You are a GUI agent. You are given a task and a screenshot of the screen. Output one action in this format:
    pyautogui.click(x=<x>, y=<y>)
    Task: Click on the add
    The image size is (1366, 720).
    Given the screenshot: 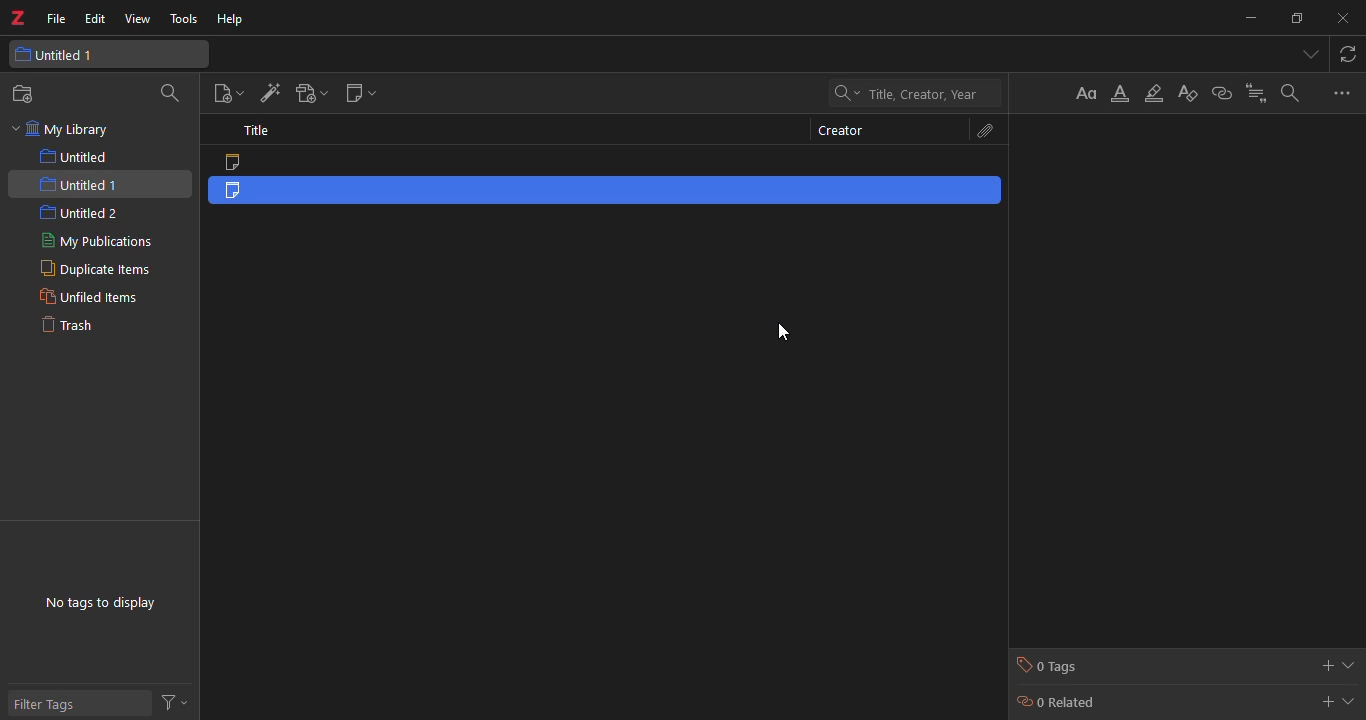 What is the action you would take?
    pyautogui.click(x=1323, y=665)
    